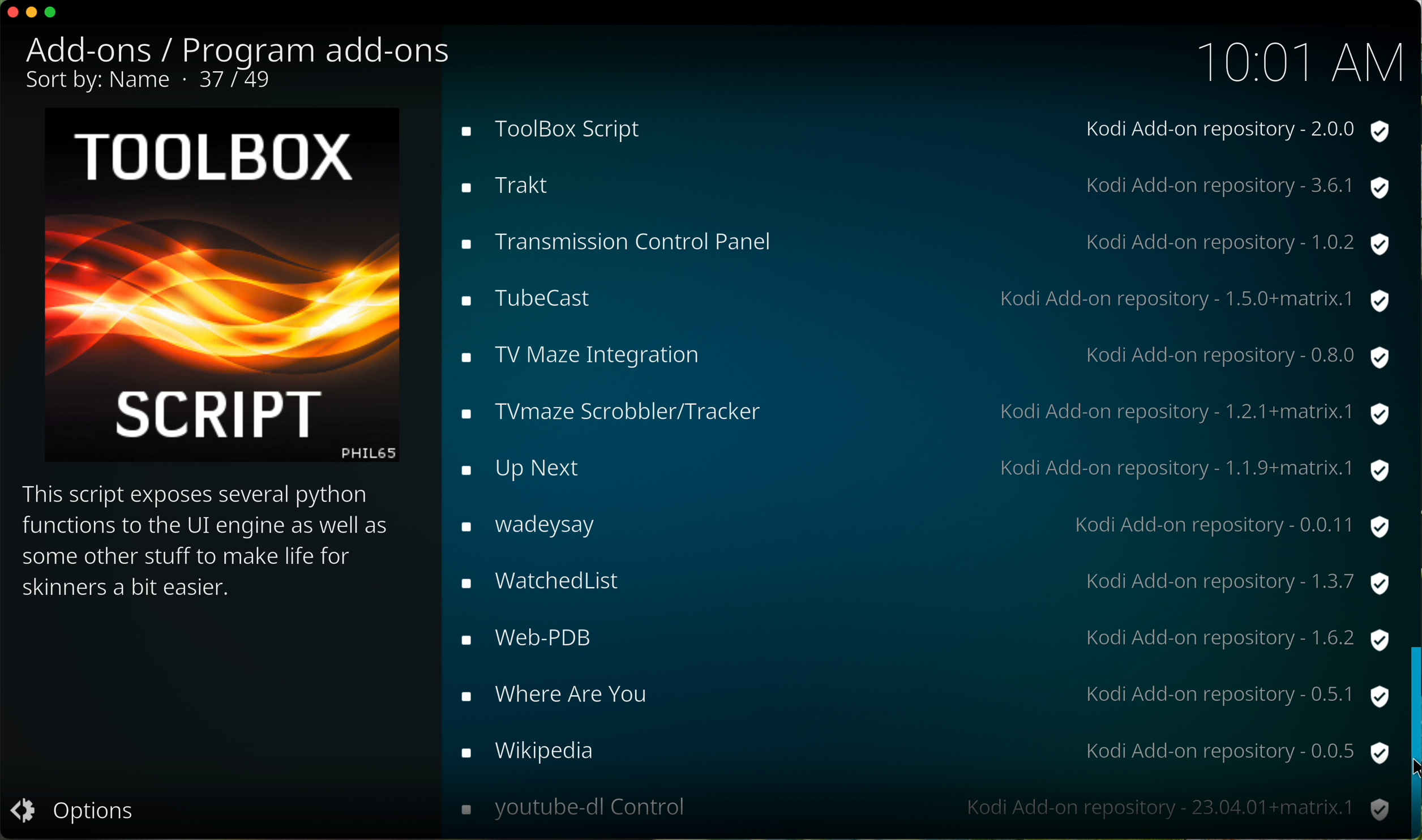 The height and width of the screenshot is (840, 1422). Describe the element at coordinates (922, 751) in the screenshot. I see `wikipedia` at that location.